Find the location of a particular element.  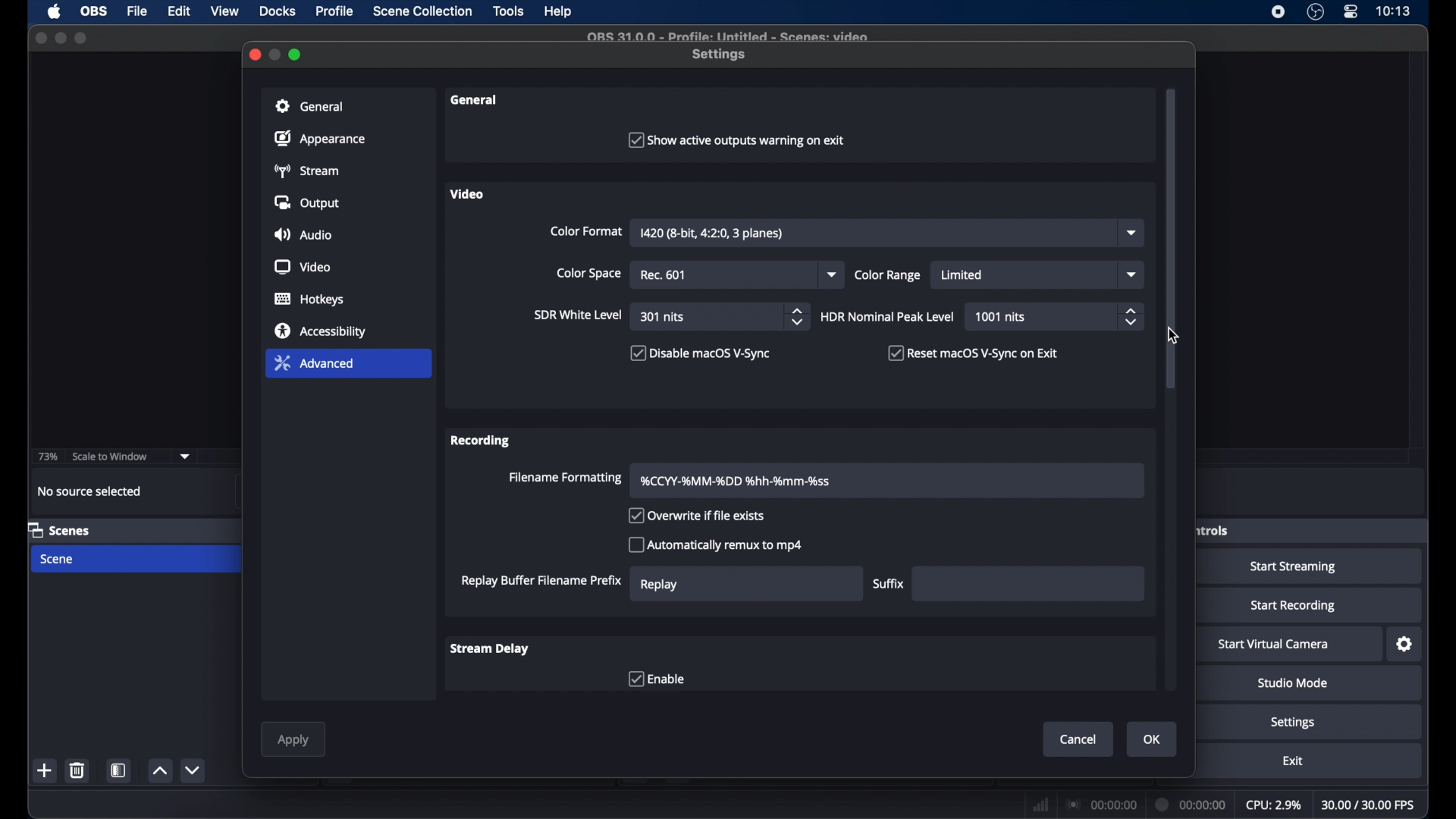

close is located at coordinates (254, 53).